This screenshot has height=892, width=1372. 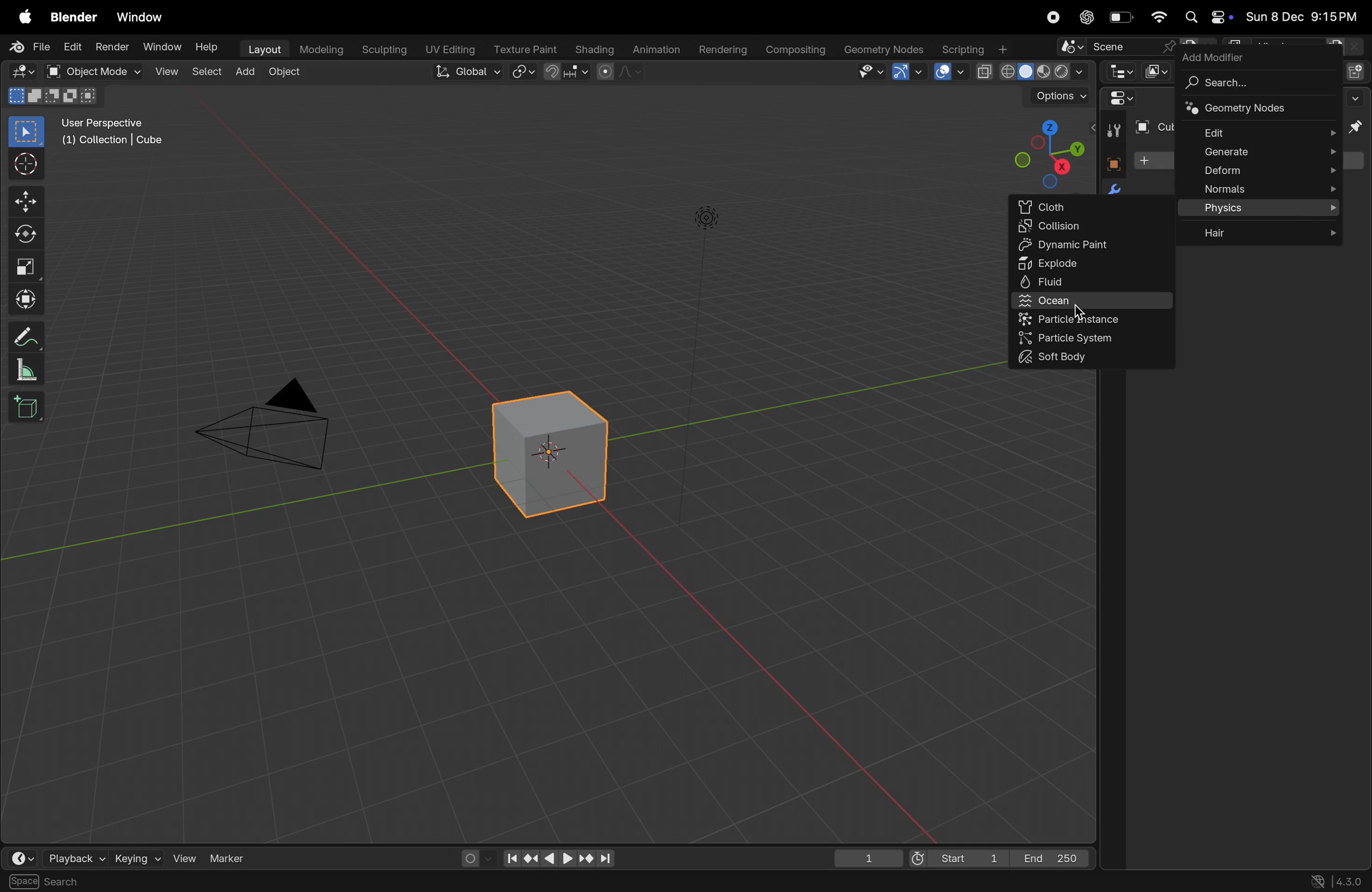 I want to click on ocean, so click(x=1095, y=301).